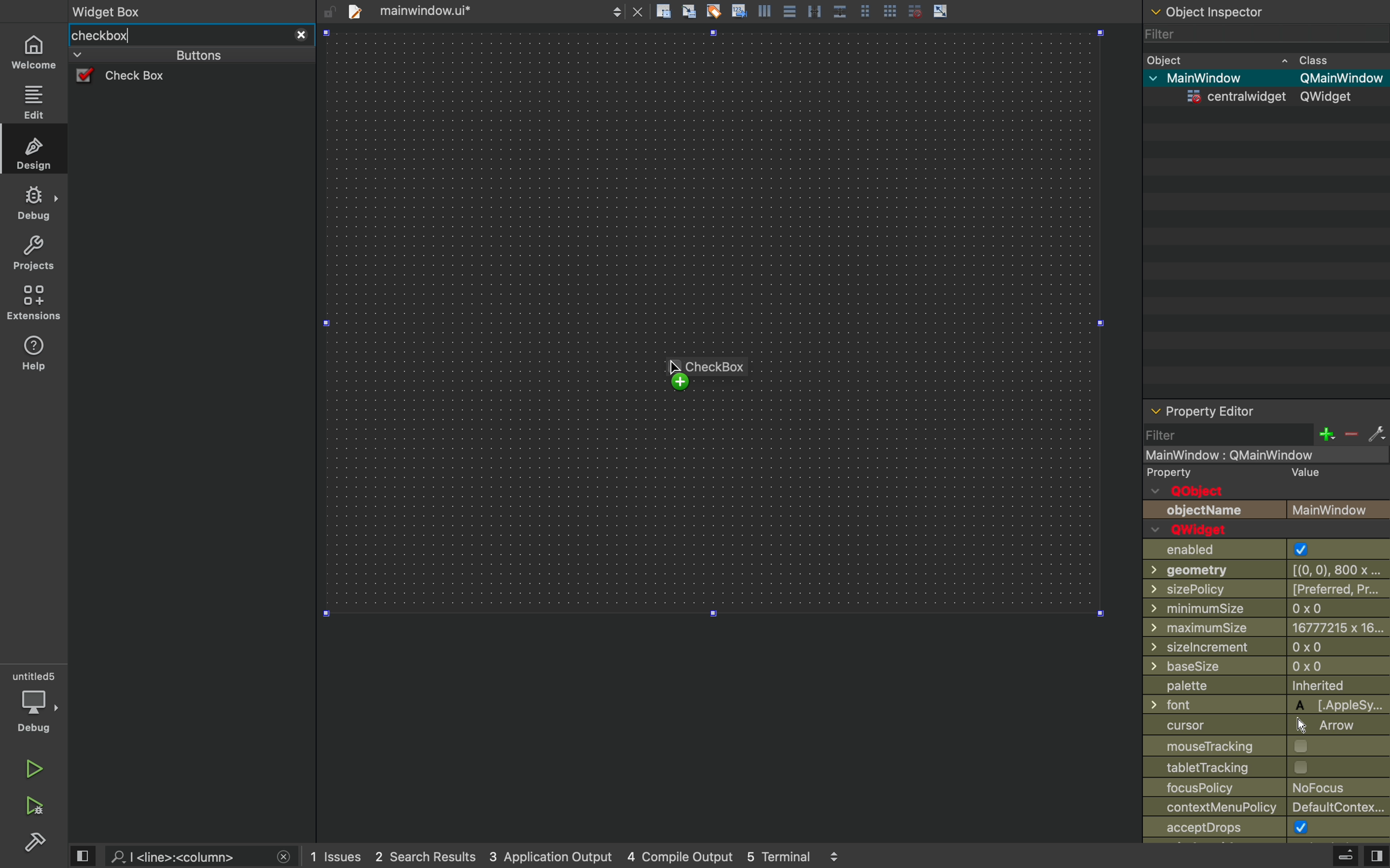 This screenshot has width=1390, height=868. Describe the element at coordinates (1246, 828) in the screenshot. I see `accept drops` at that location.